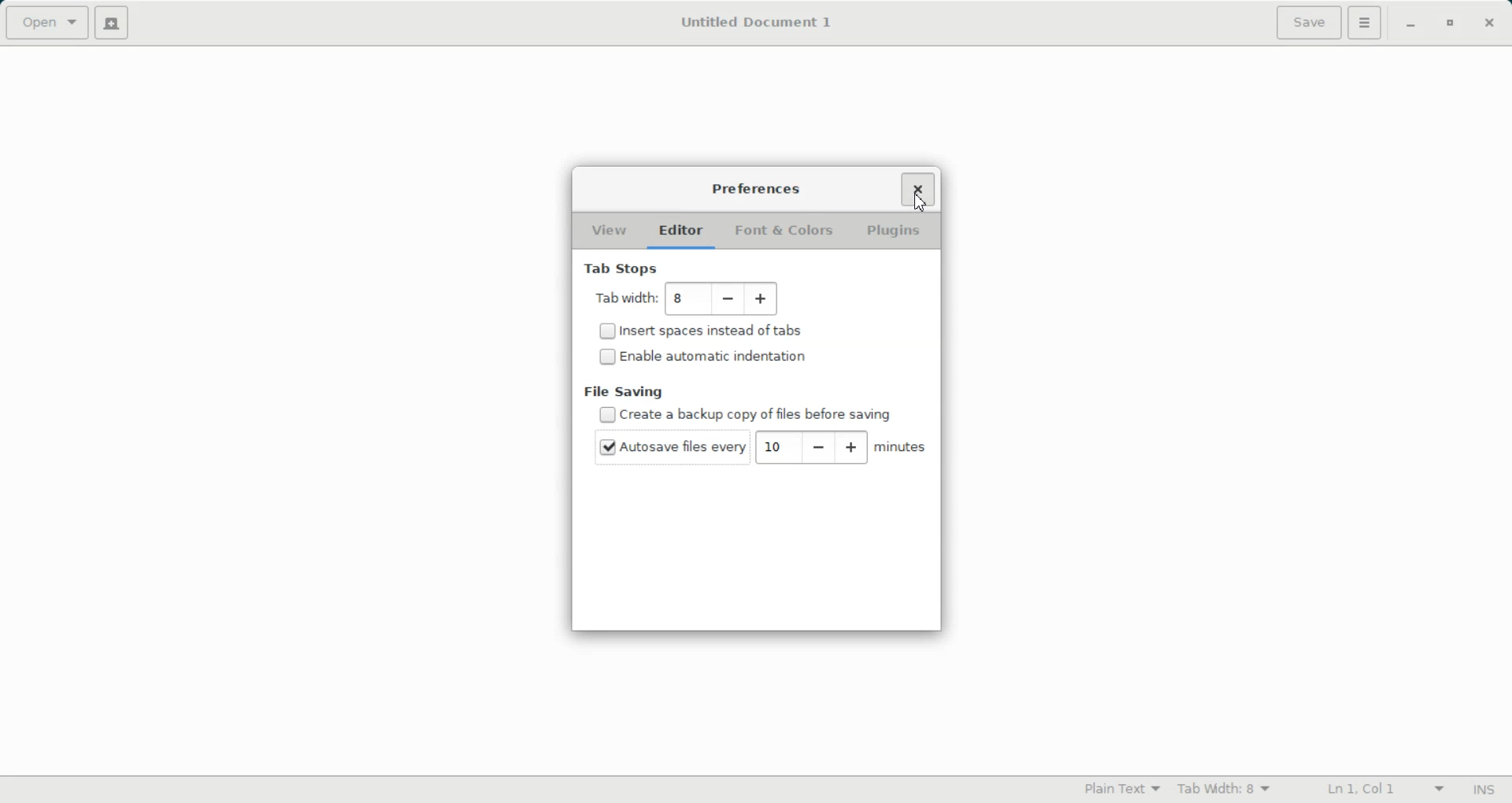 Image resolution: width=1512 pixels, height=803 pixels. Describe the element at coordinates (606, 232) in the screenshot. I see `View folder open` at that location.